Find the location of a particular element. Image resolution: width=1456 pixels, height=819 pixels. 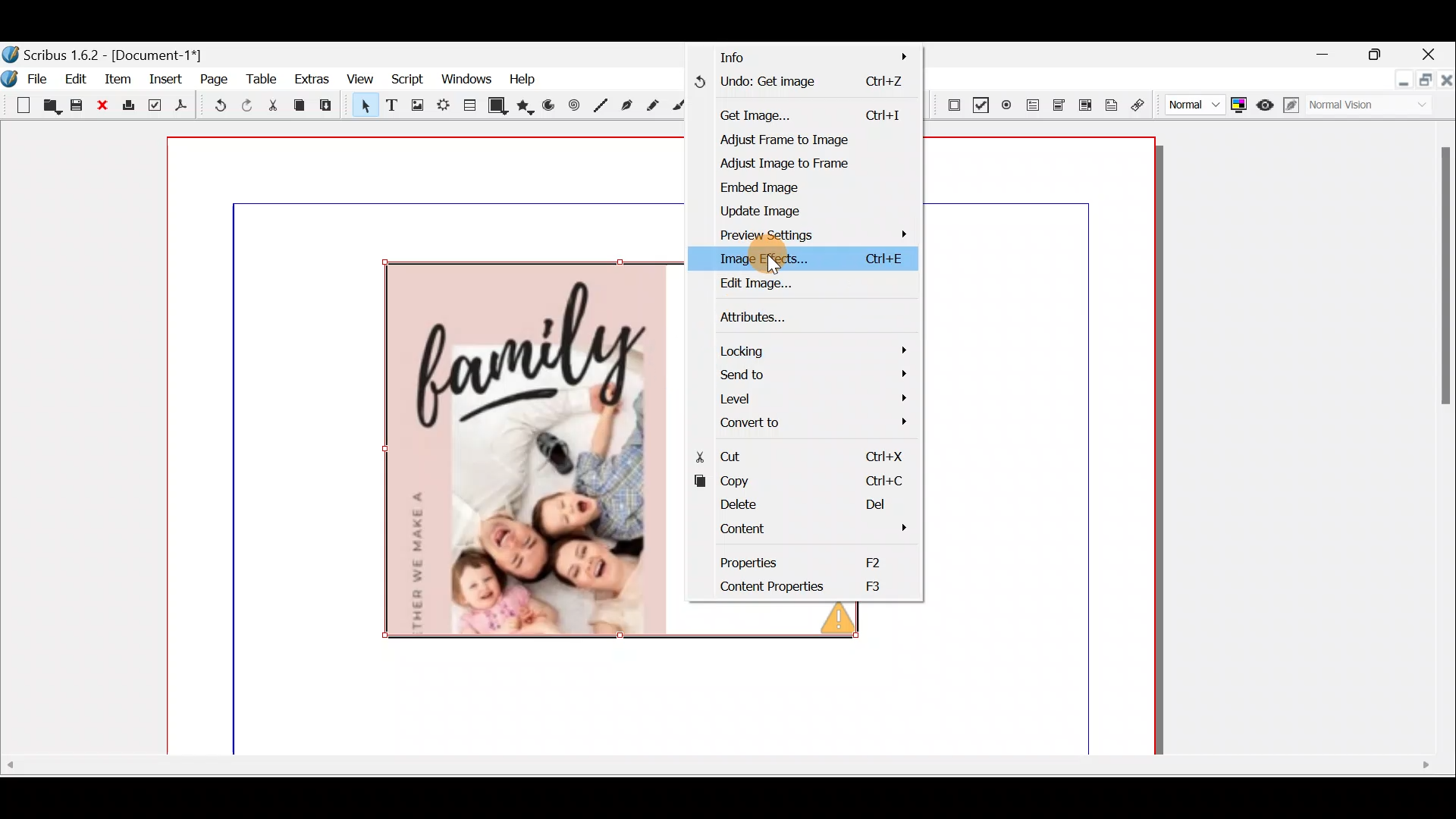

Save is located at coordinates (79, 107).